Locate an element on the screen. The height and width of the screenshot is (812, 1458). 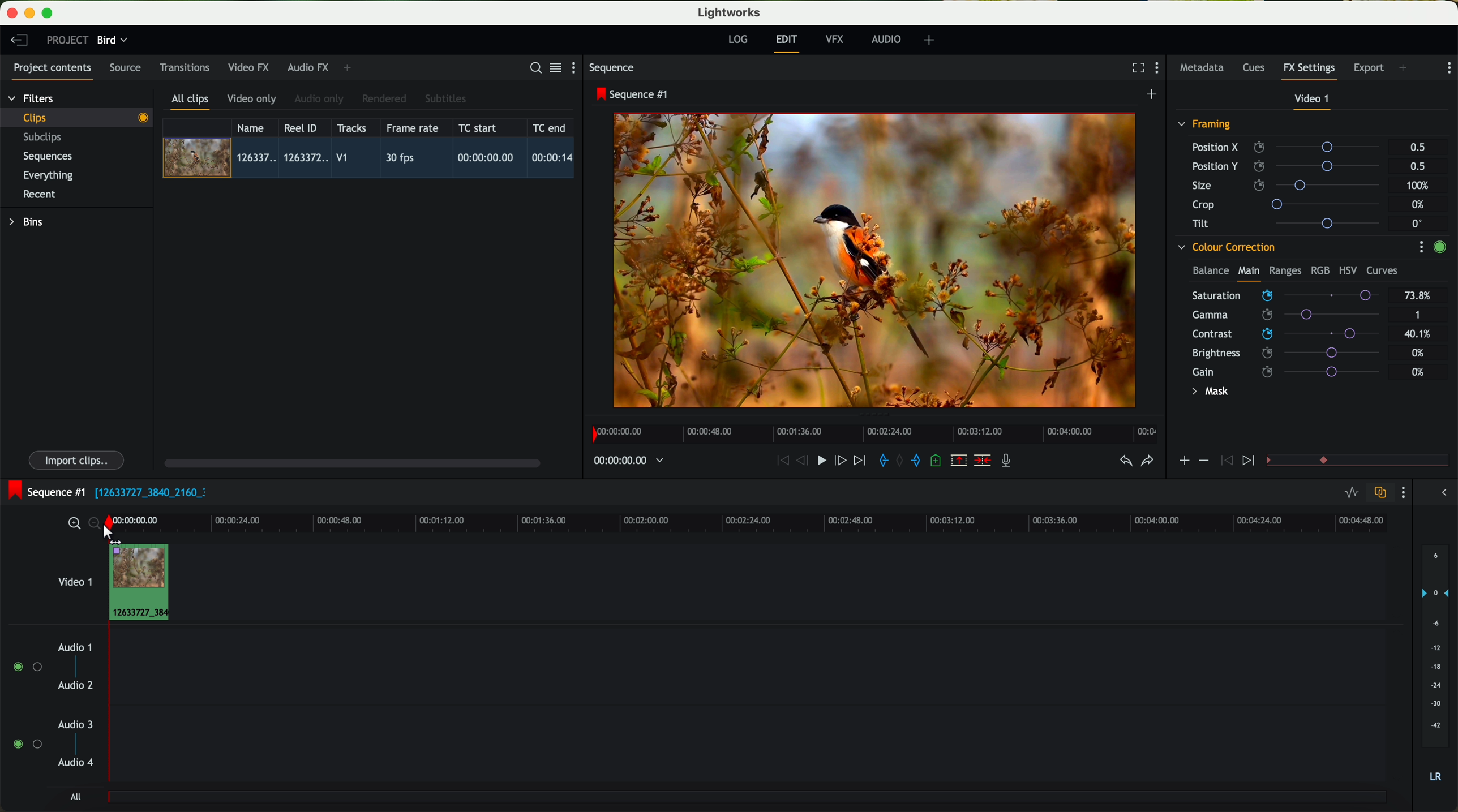
click on saturation is located at coordinates (1280, 315).